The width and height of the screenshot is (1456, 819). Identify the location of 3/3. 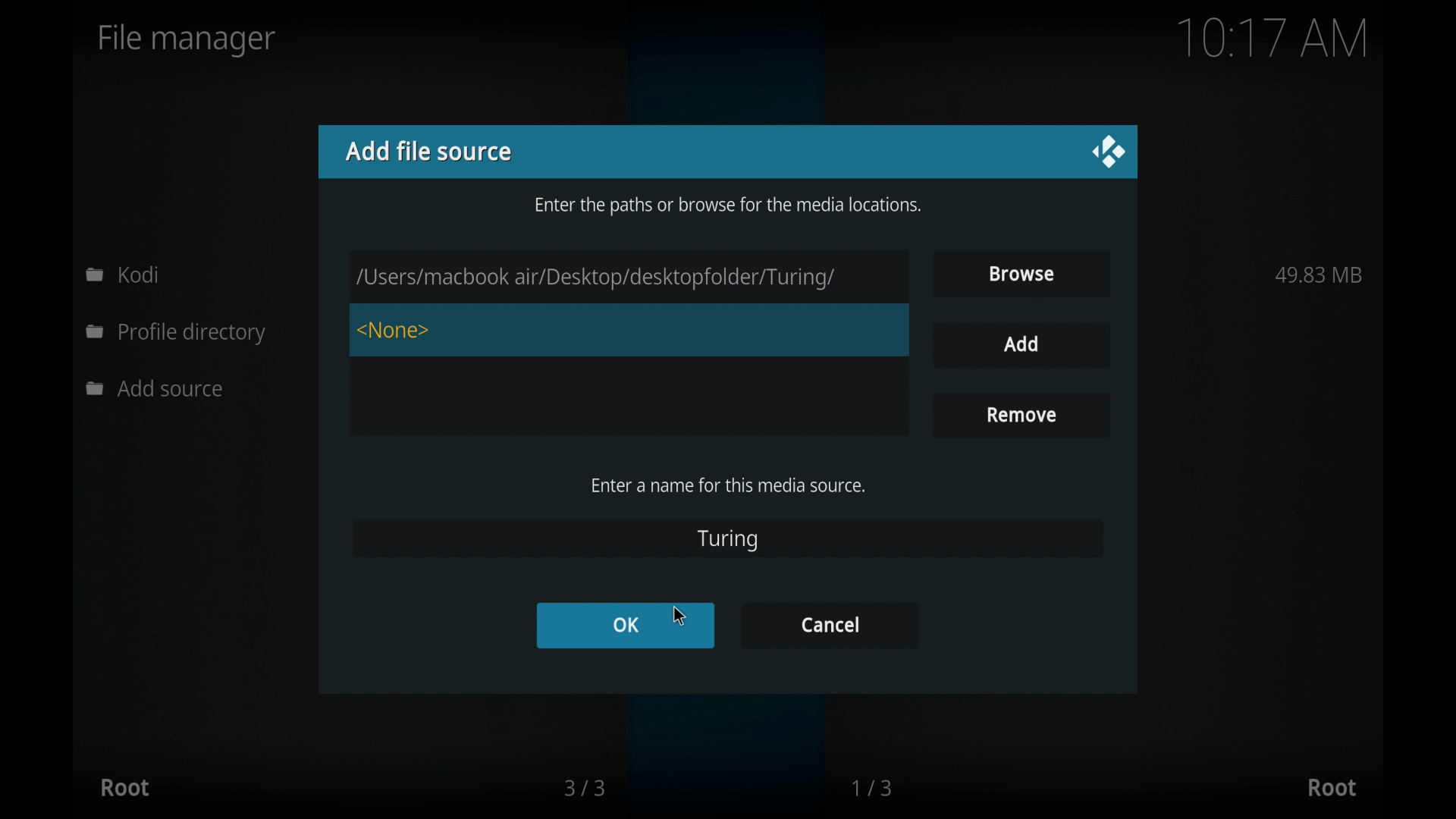
(583, 788).